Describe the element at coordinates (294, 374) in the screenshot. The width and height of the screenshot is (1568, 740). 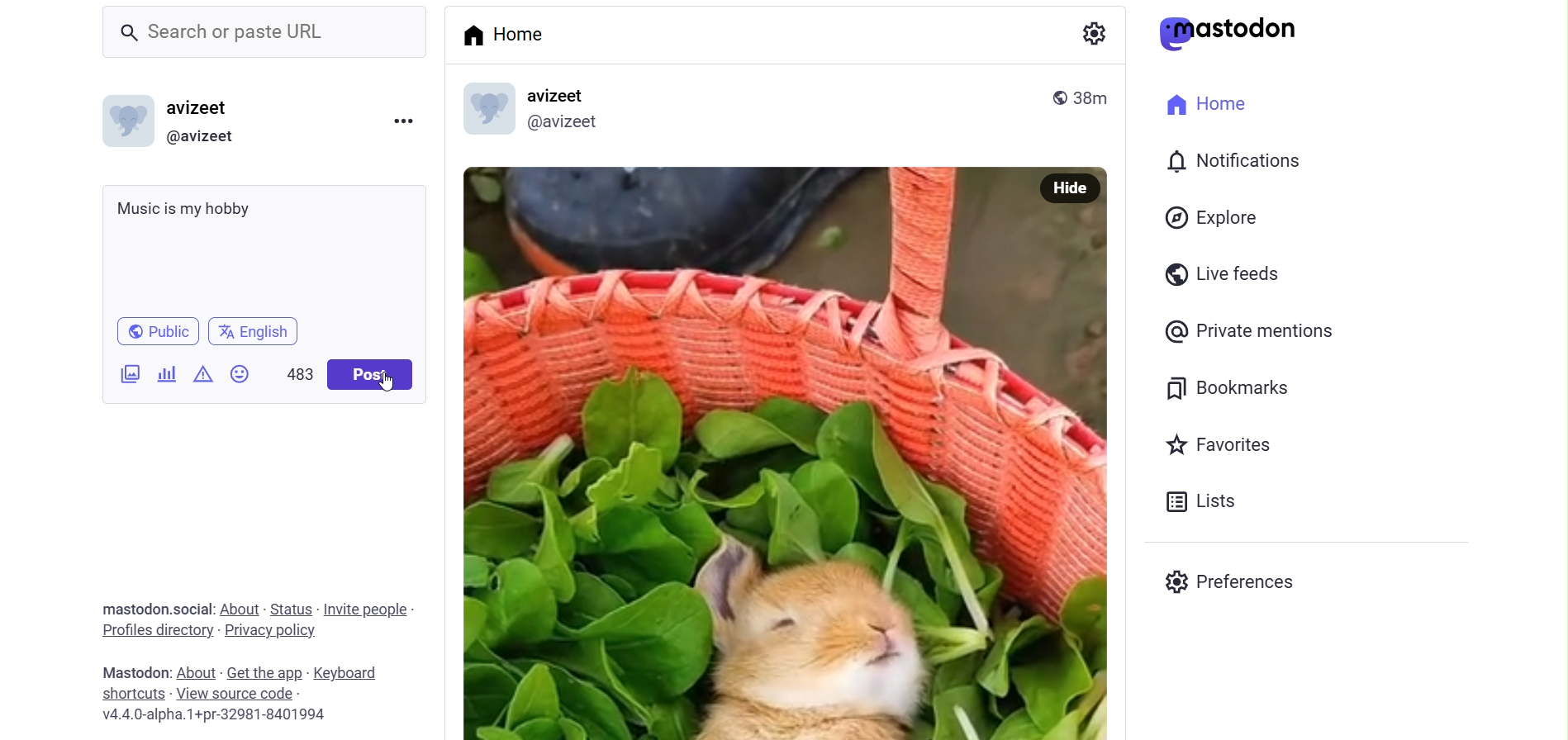
I see `483` at that location.